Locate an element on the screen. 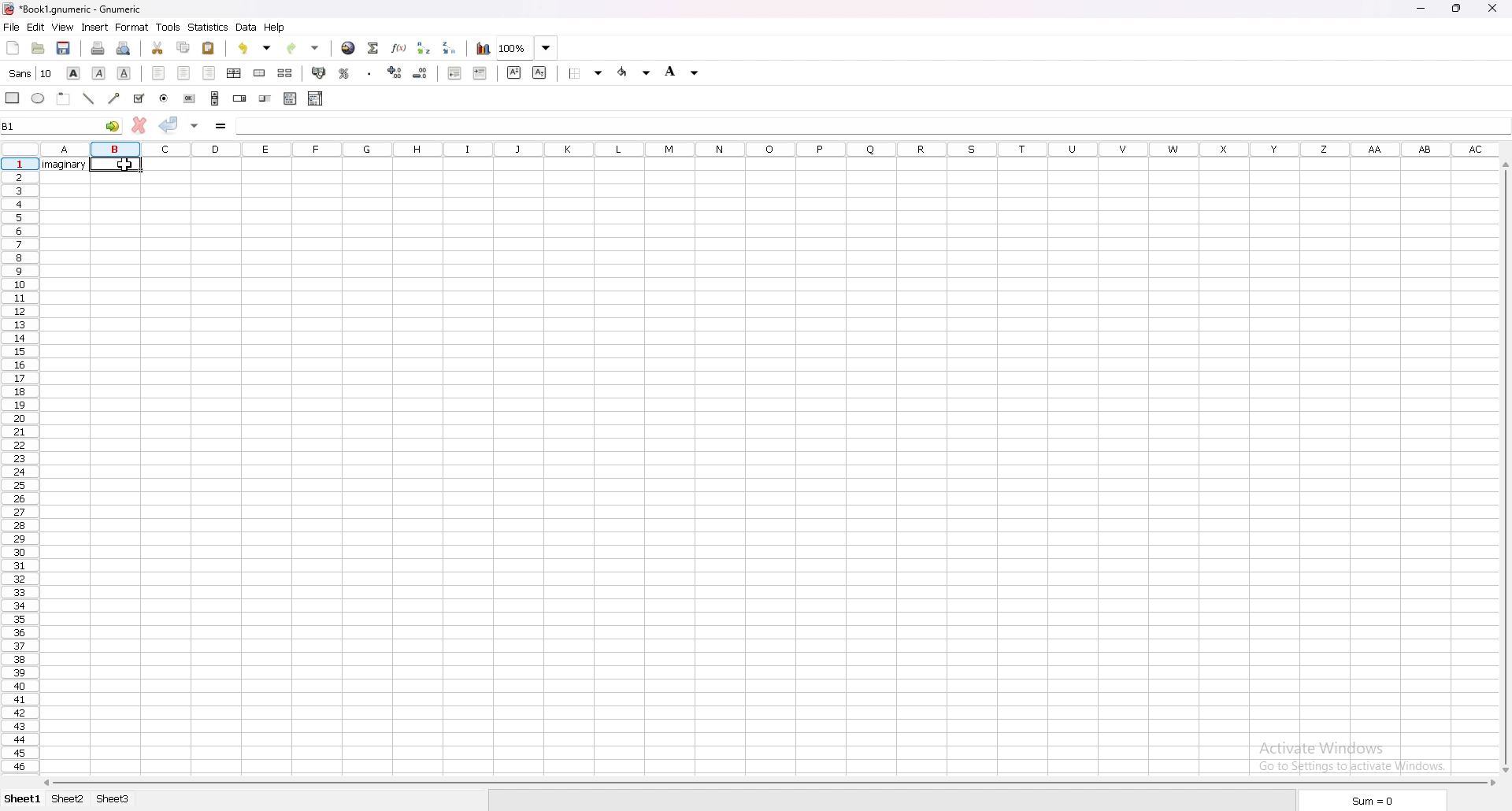 The image size is (1512, 811). file name is located at coordinates (72, 9).